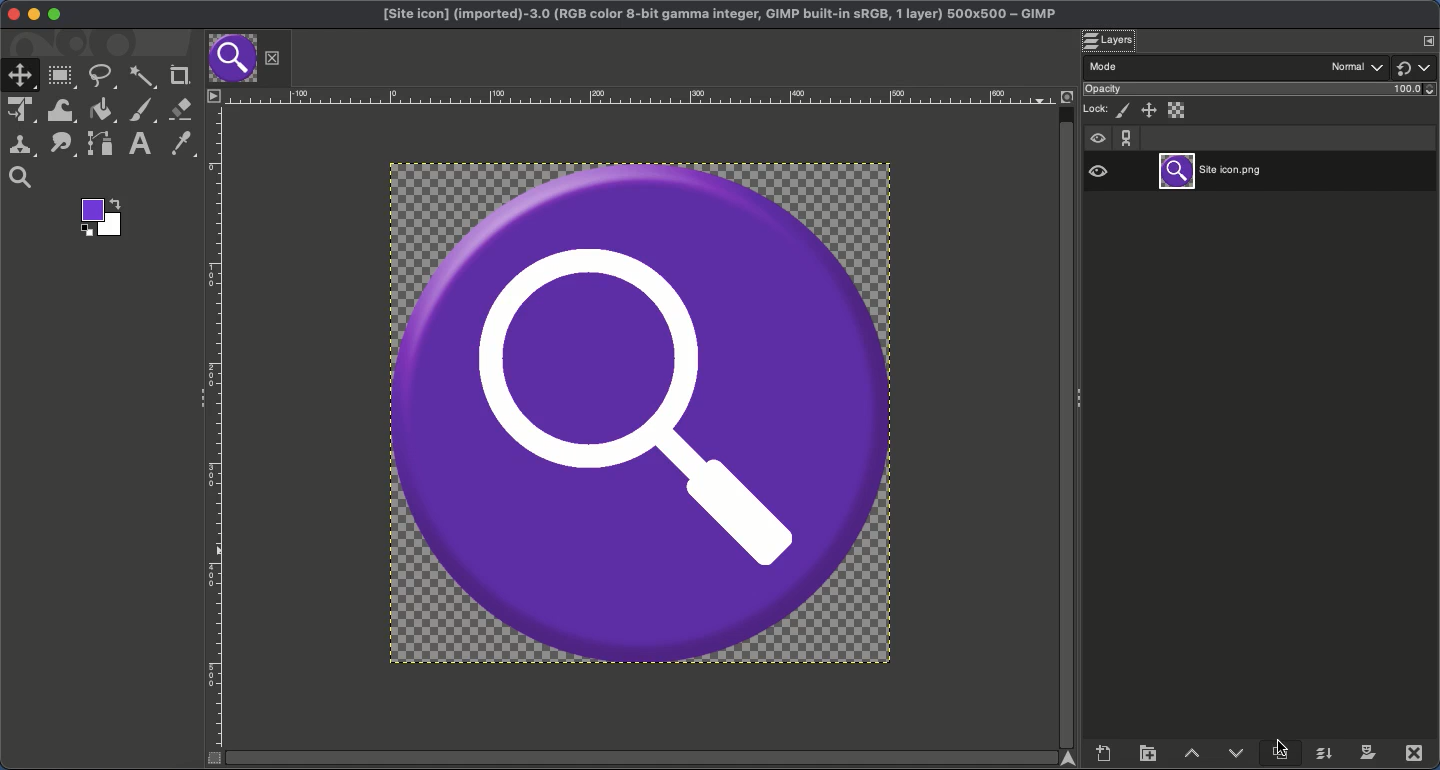 This screenshot has height=770, width=1440. Describe the element at coordinates (1217, 169) in the screenshot. I see `Current layer` at that location.